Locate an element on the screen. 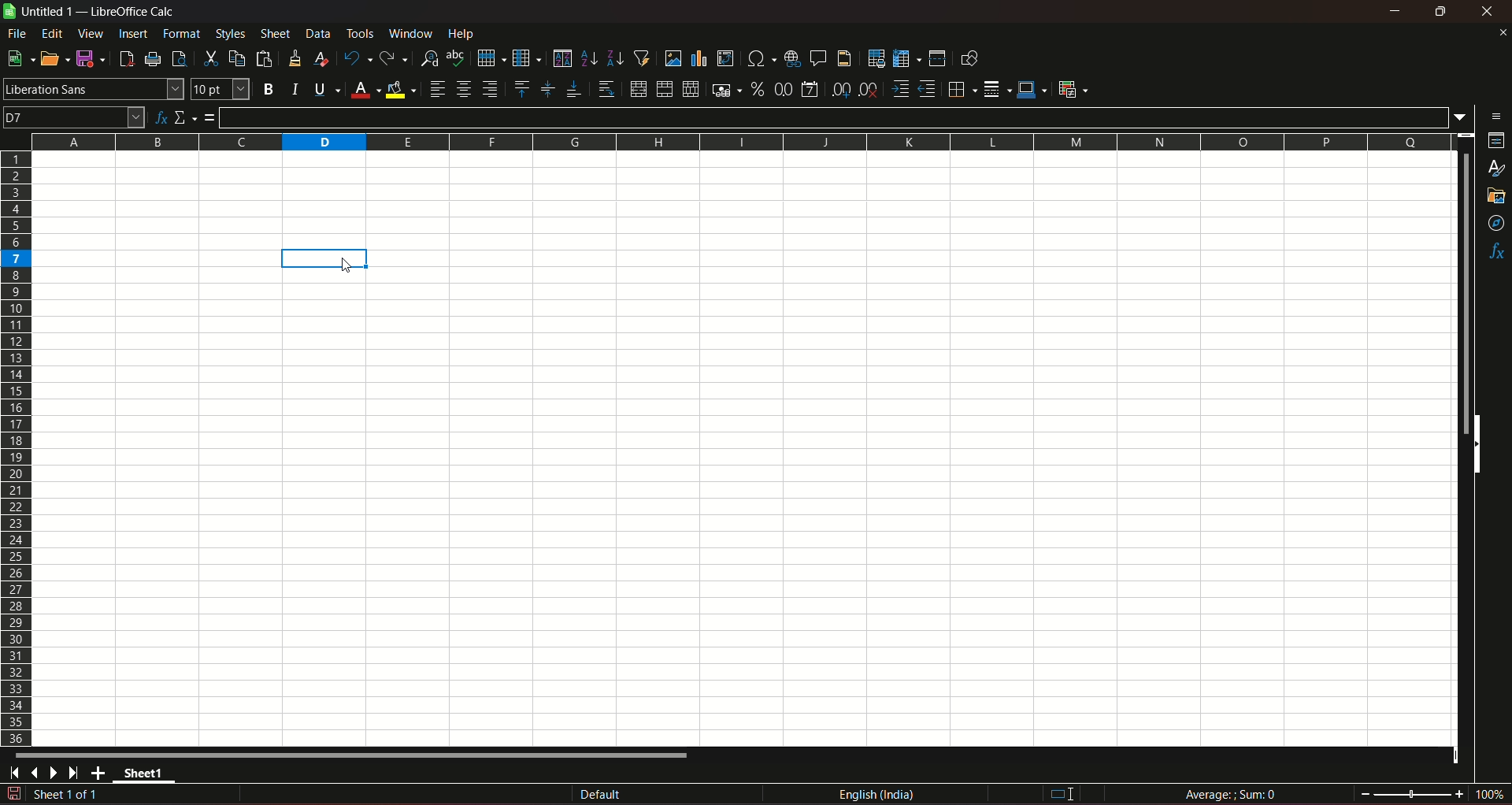 This screenshot has height=805, width=1512. align top is located at coordinates (521, 88).